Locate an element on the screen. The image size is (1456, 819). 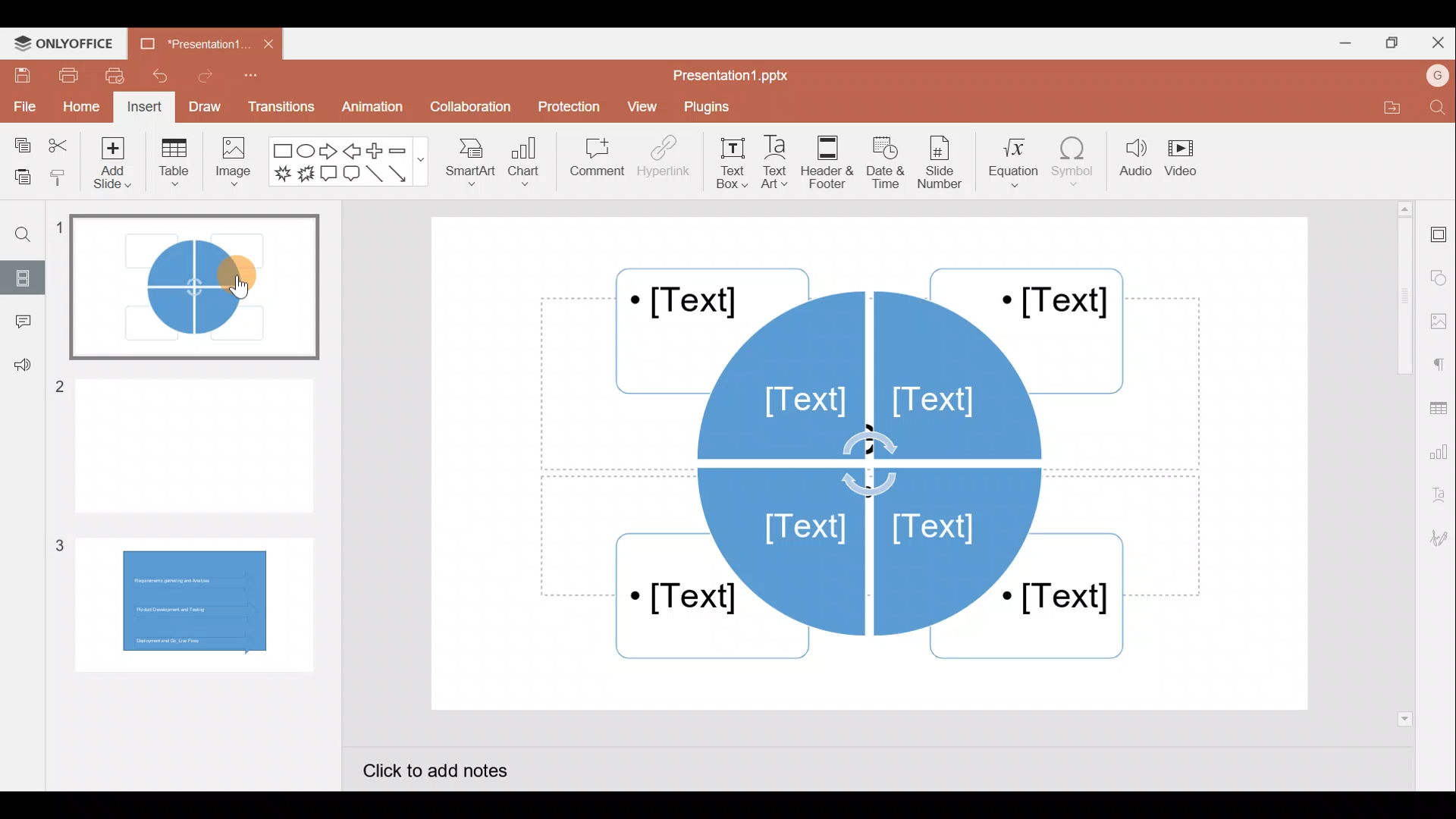
Cursor on slide 1 is located at coordinates (241, 275).